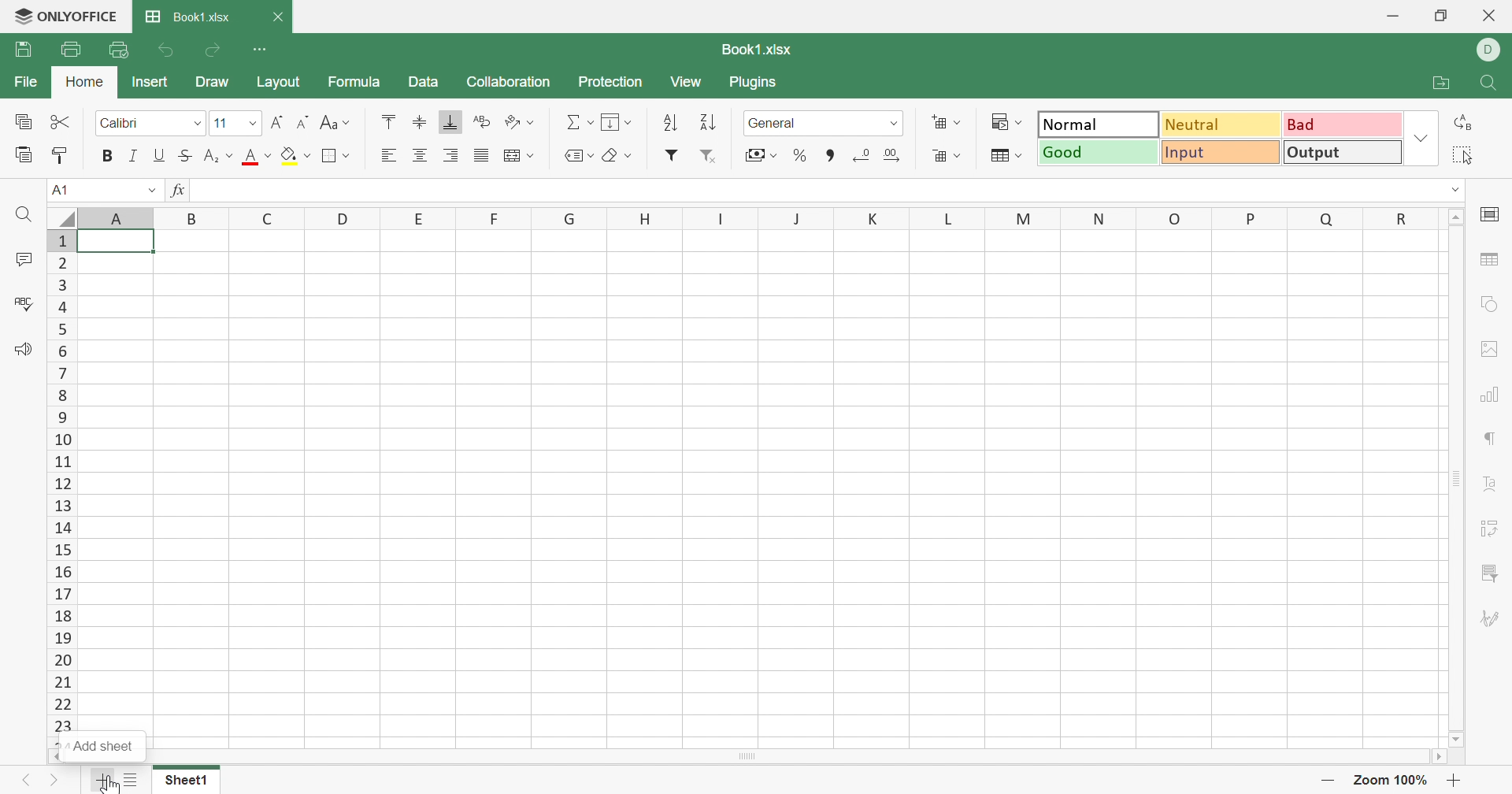 The width and height of the screenshot is (1512, 794). Describe the element at coordinates (61, 618) in the screenshot. I see `18` at that location.